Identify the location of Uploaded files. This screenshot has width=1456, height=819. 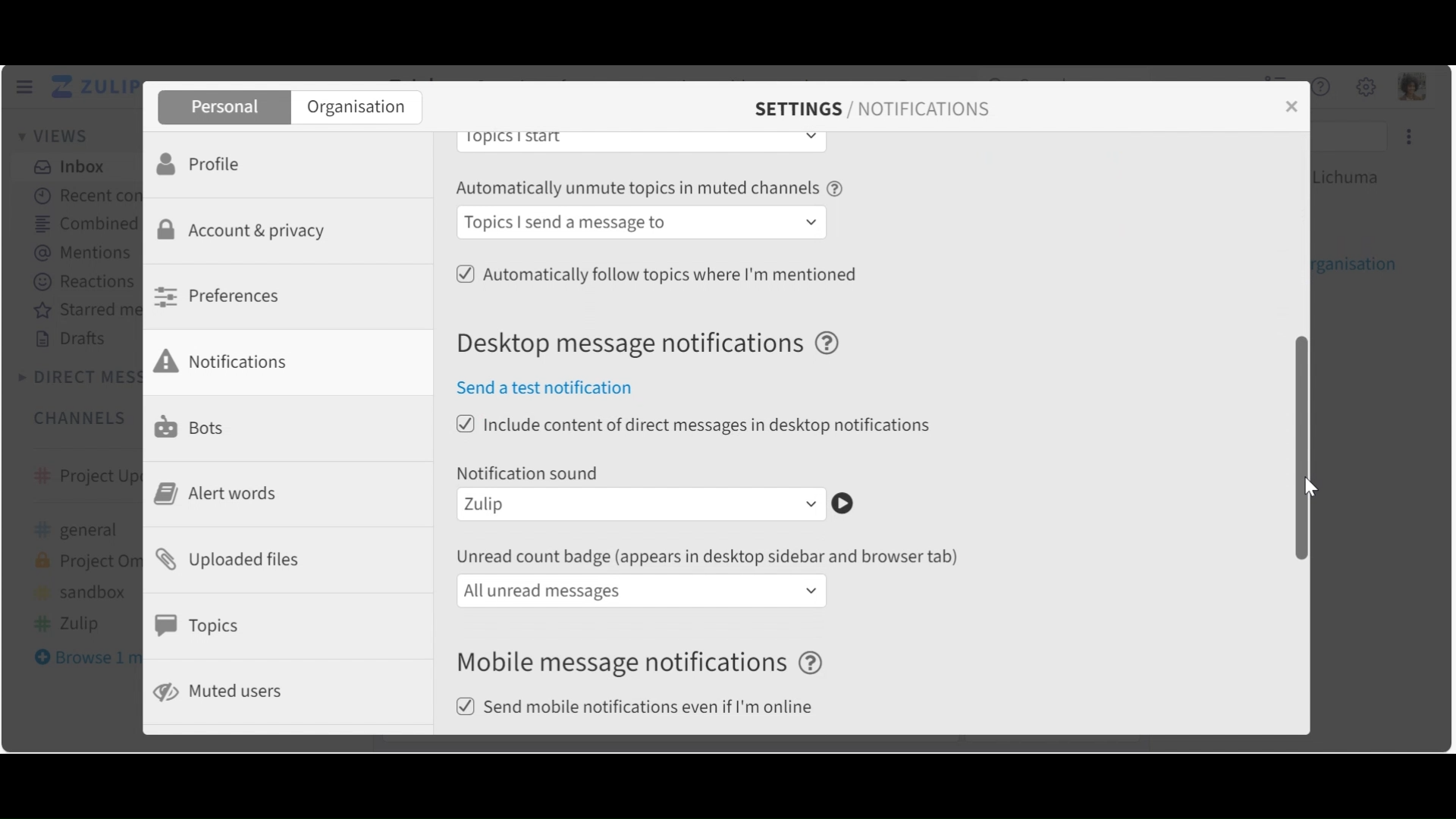
(235, 558).